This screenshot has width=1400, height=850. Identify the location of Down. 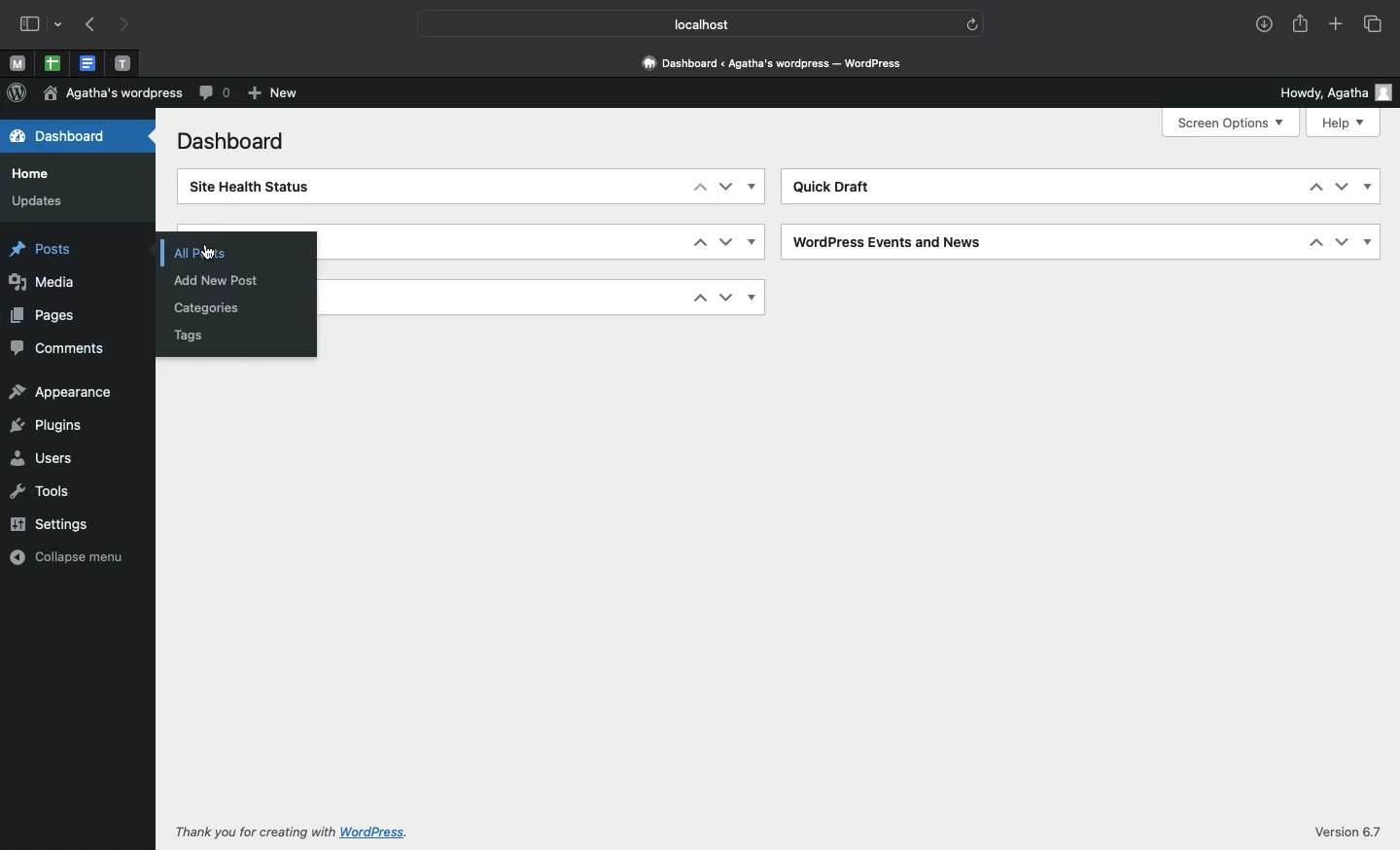
(726, 187).